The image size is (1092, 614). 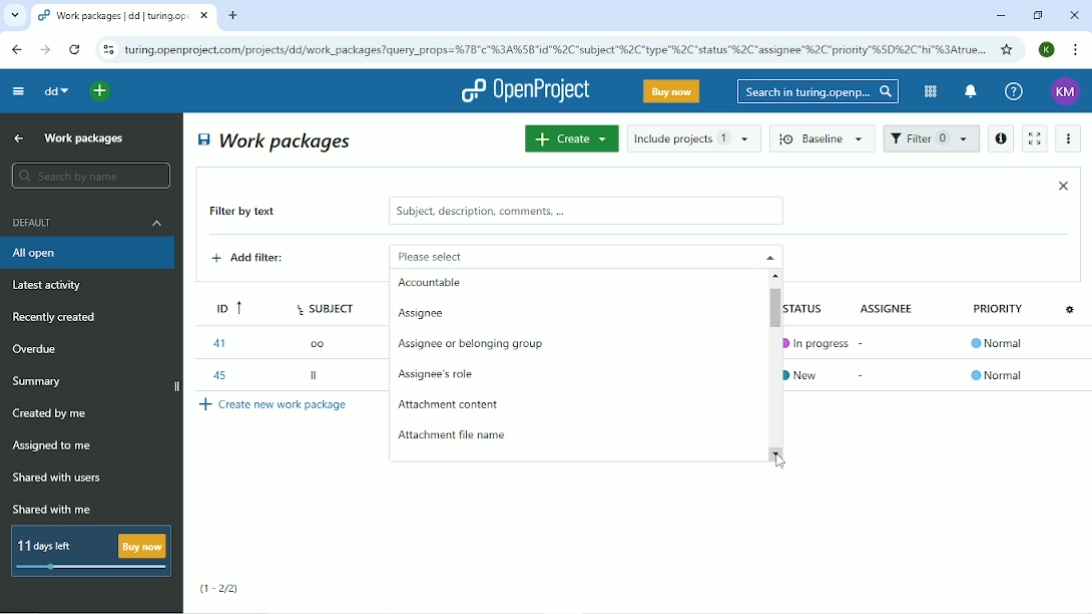 I want to click on Please select, so click(x=558, y=255).